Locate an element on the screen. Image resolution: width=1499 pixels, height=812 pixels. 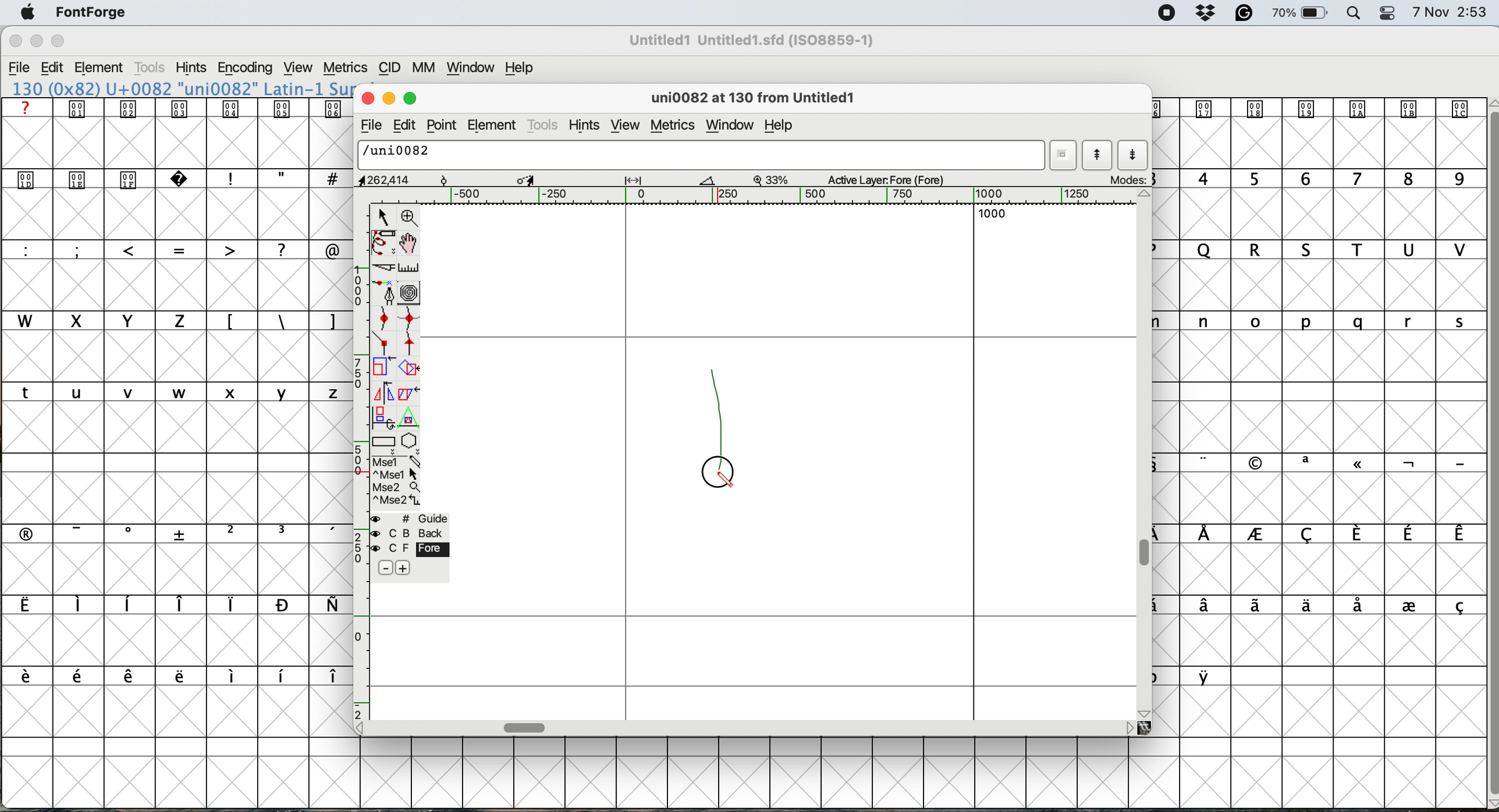
tools is located at coordinates (544, 124).